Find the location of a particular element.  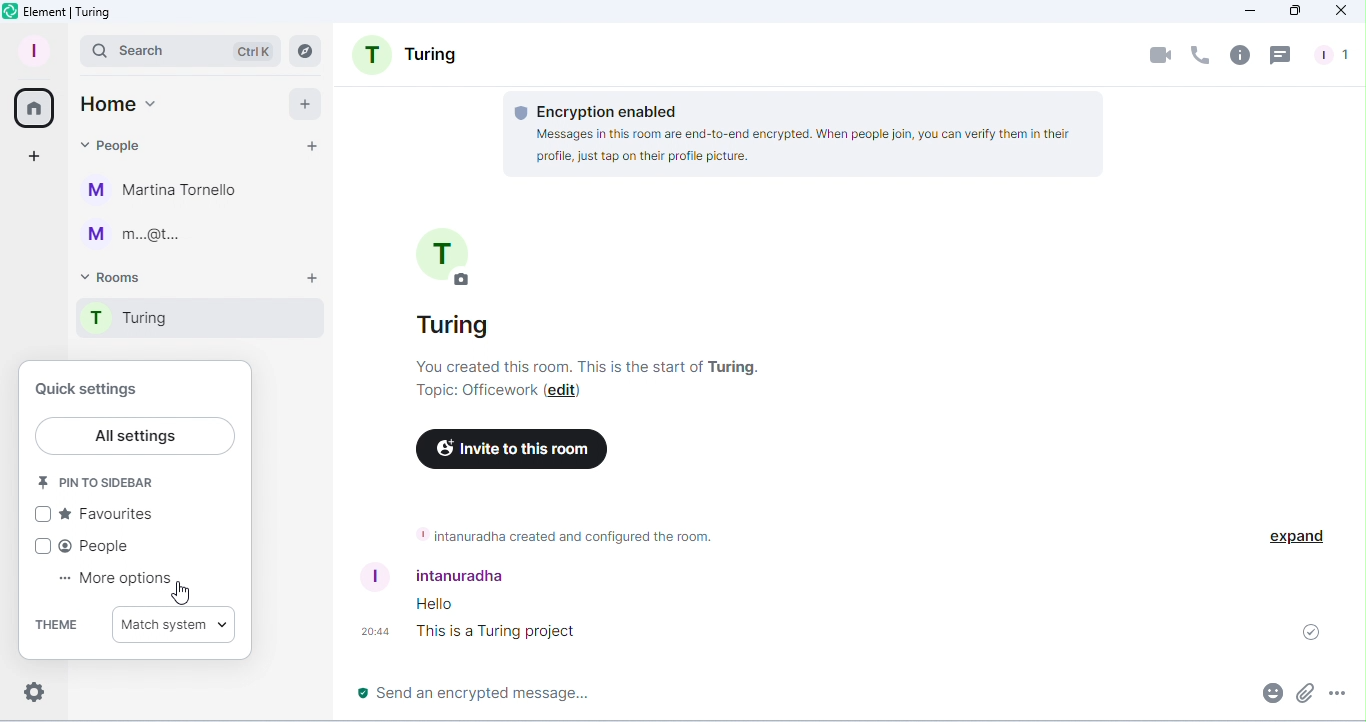

Message sent is located at coordinates (1319, 629).